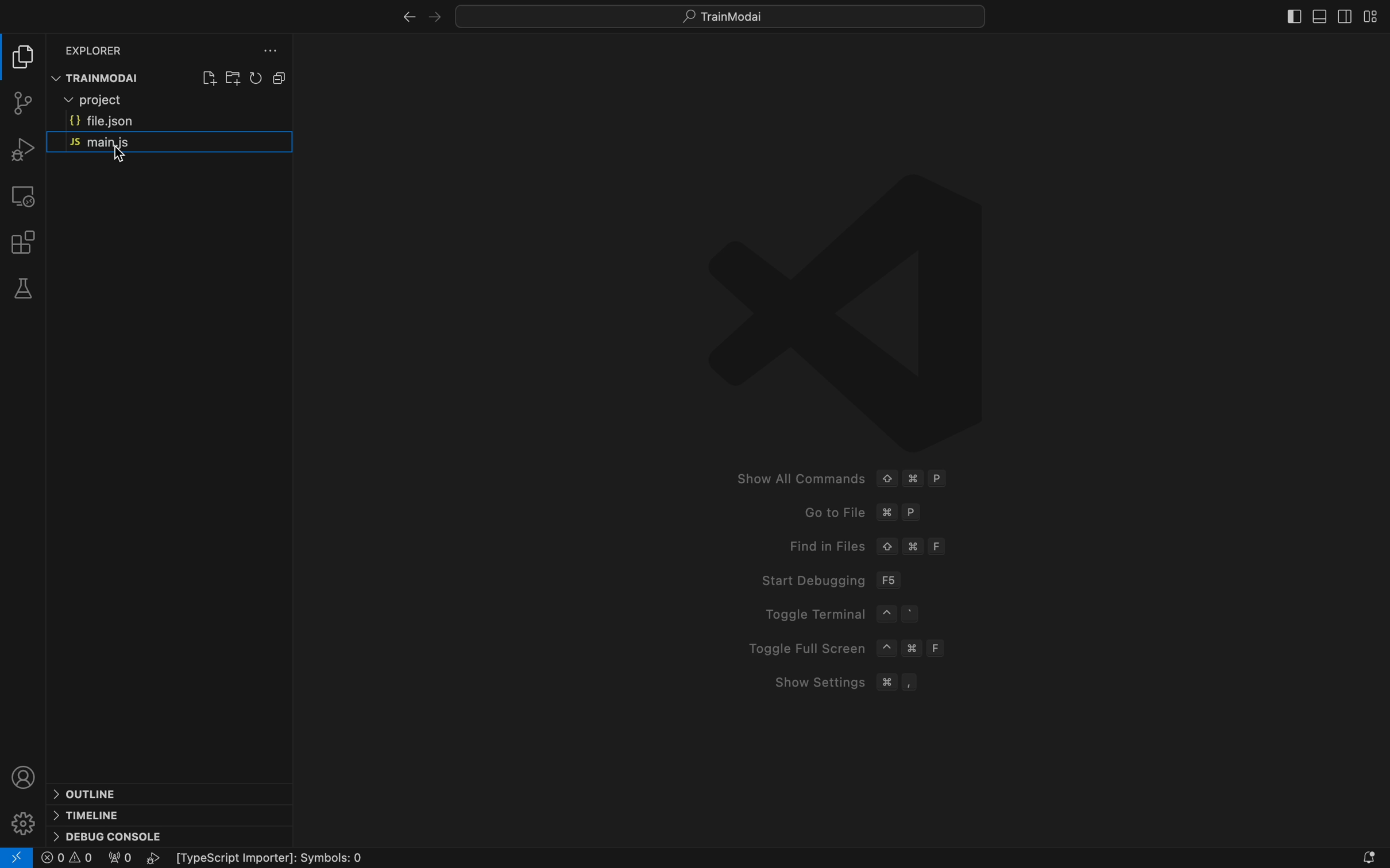  I want to click on JS main.ts, so click(173, 144).